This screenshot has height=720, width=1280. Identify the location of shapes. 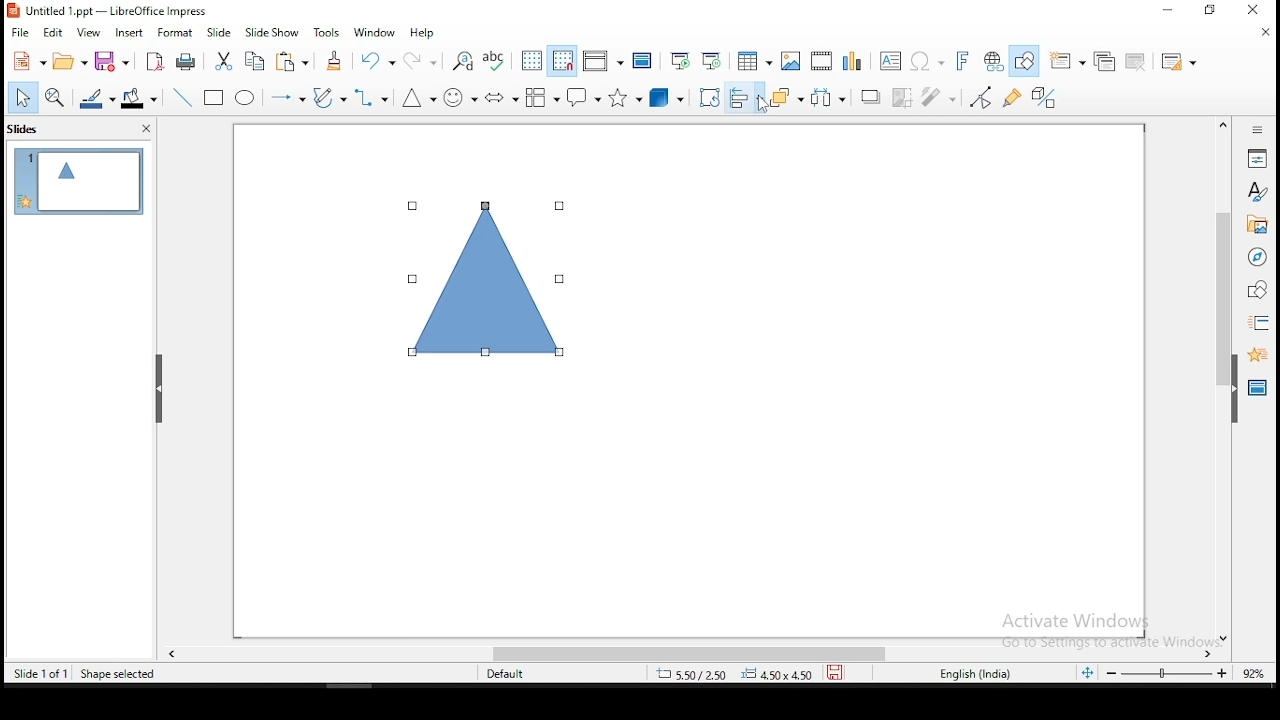
(1258, 291).